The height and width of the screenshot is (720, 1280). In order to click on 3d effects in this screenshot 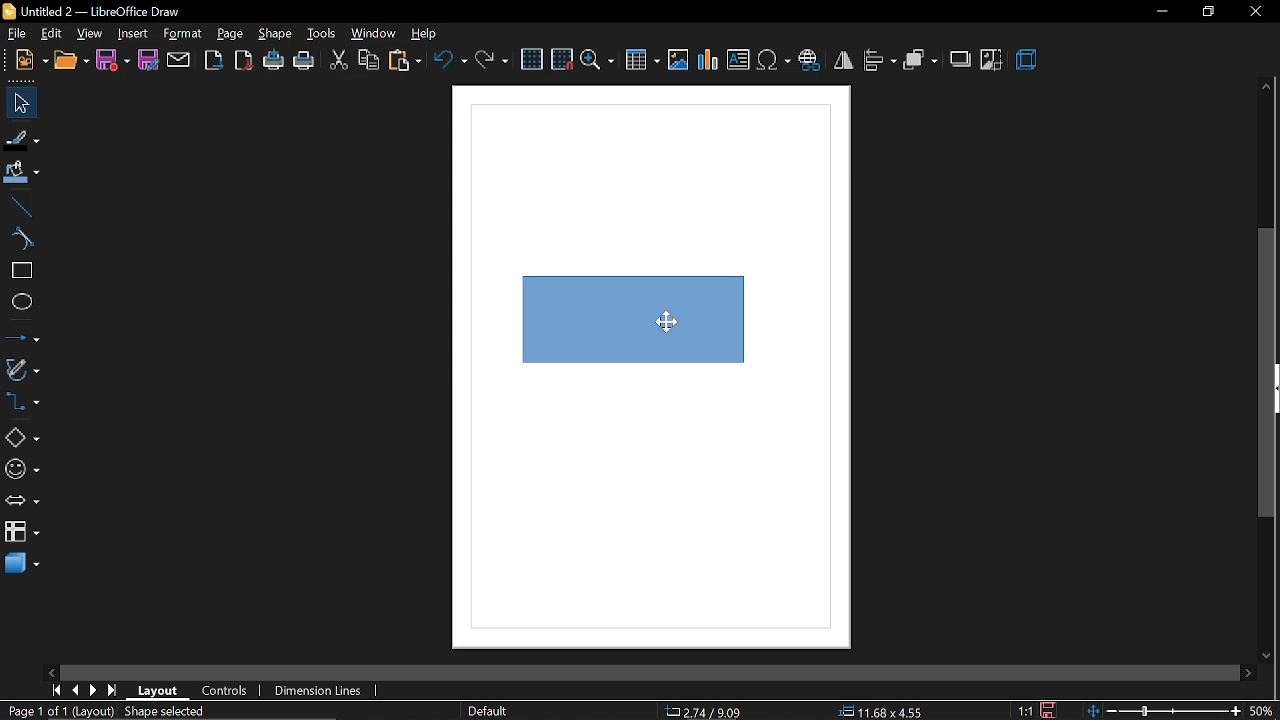, I will do `click(1030, 62)`.